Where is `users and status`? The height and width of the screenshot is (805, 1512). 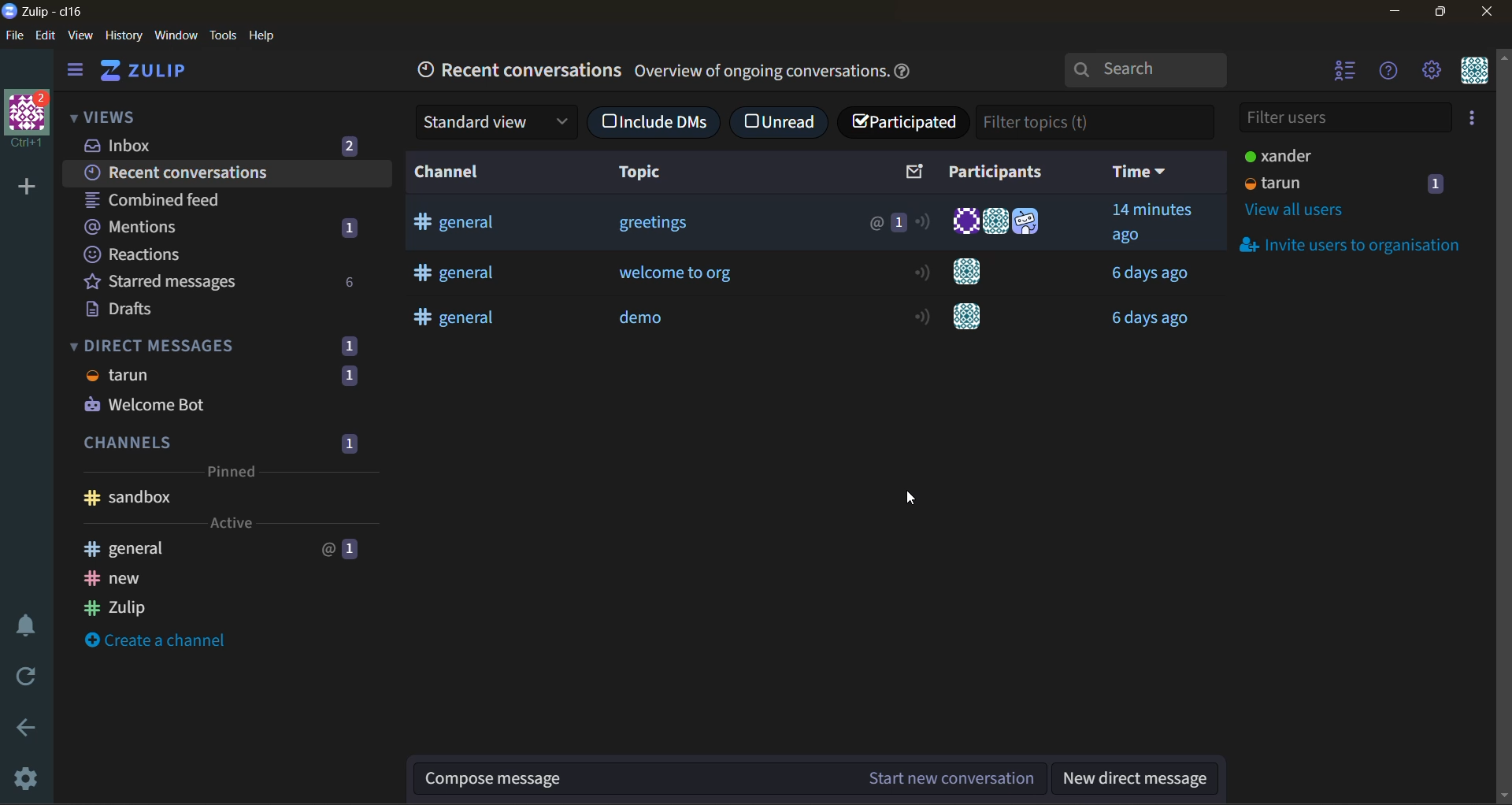
users and status is located at coordinates (1342, 169).